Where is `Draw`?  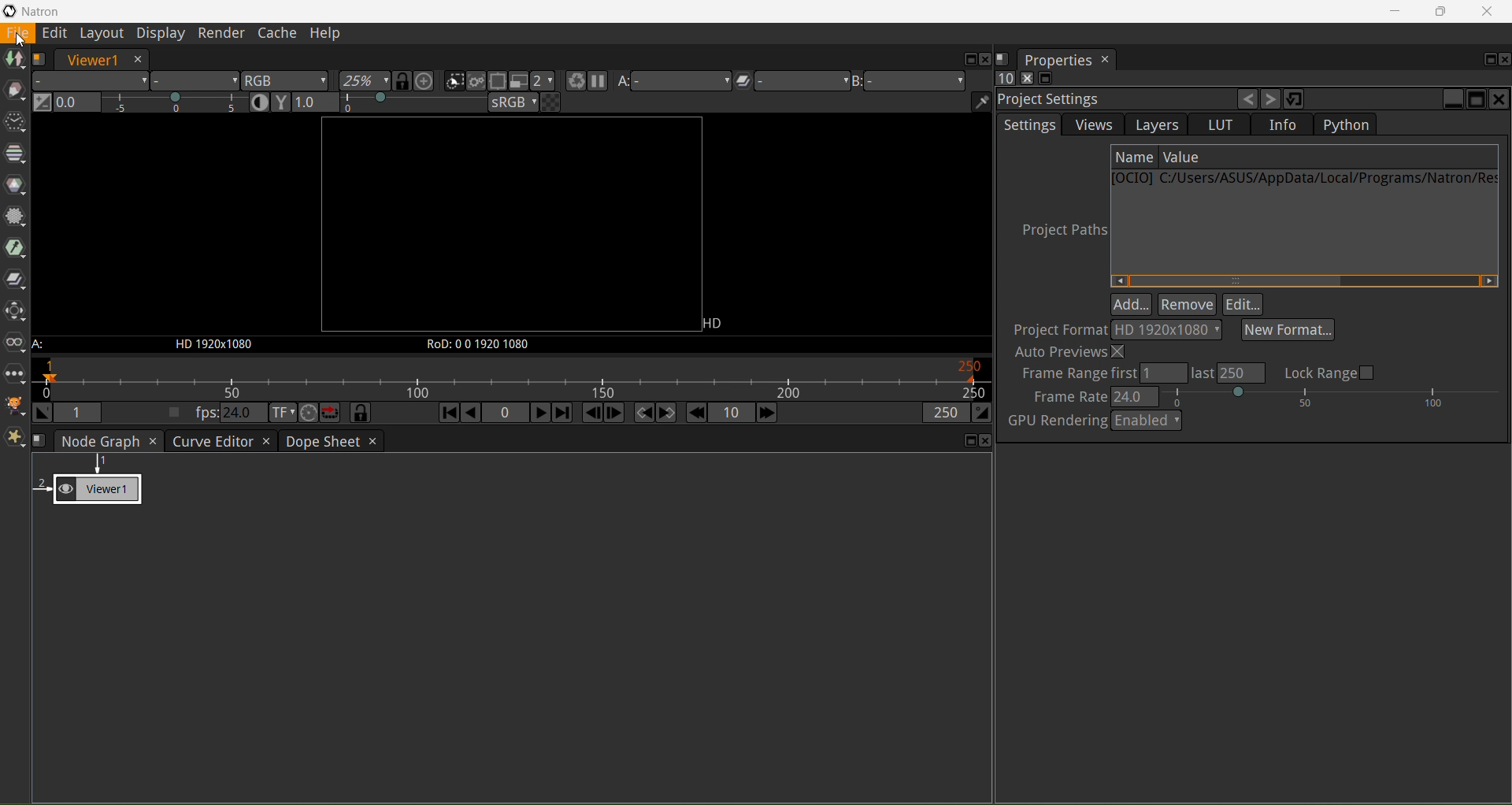 Draw is located at coordinates (15, 90).